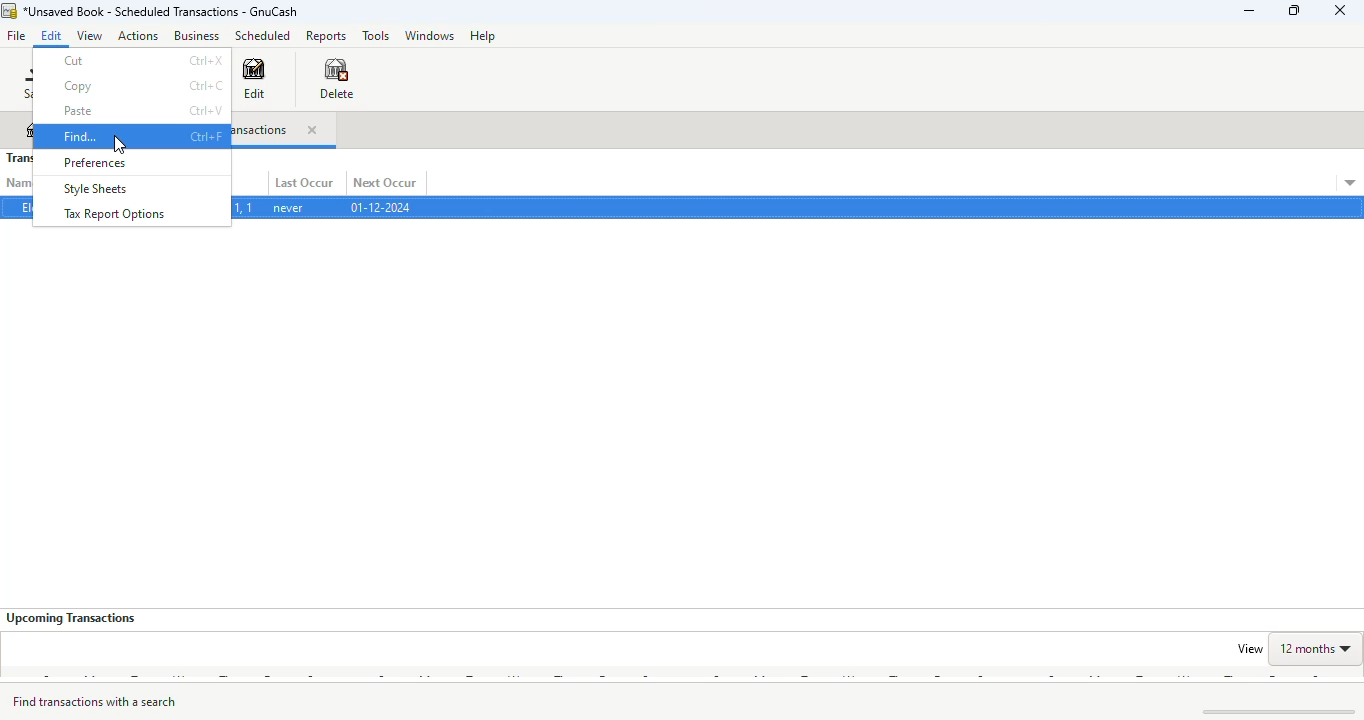 The image size is (1364, 720). What do you see at coordinates (18, 158) in the screenshot?
I see `transactions` at bounding box center [18, 158].